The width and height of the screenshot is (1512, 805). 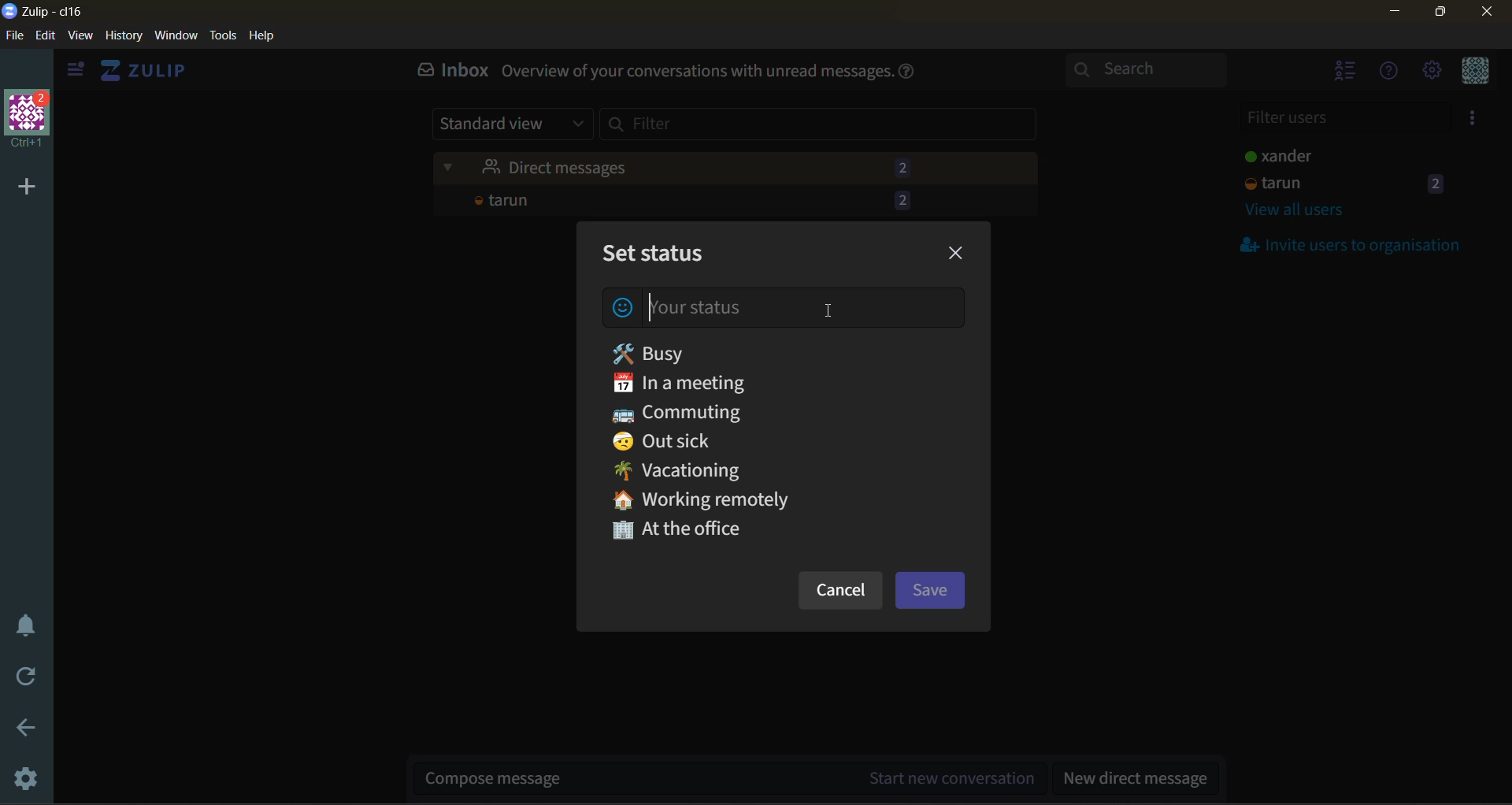 I want to click on cancel, so click(x=840, y=594).